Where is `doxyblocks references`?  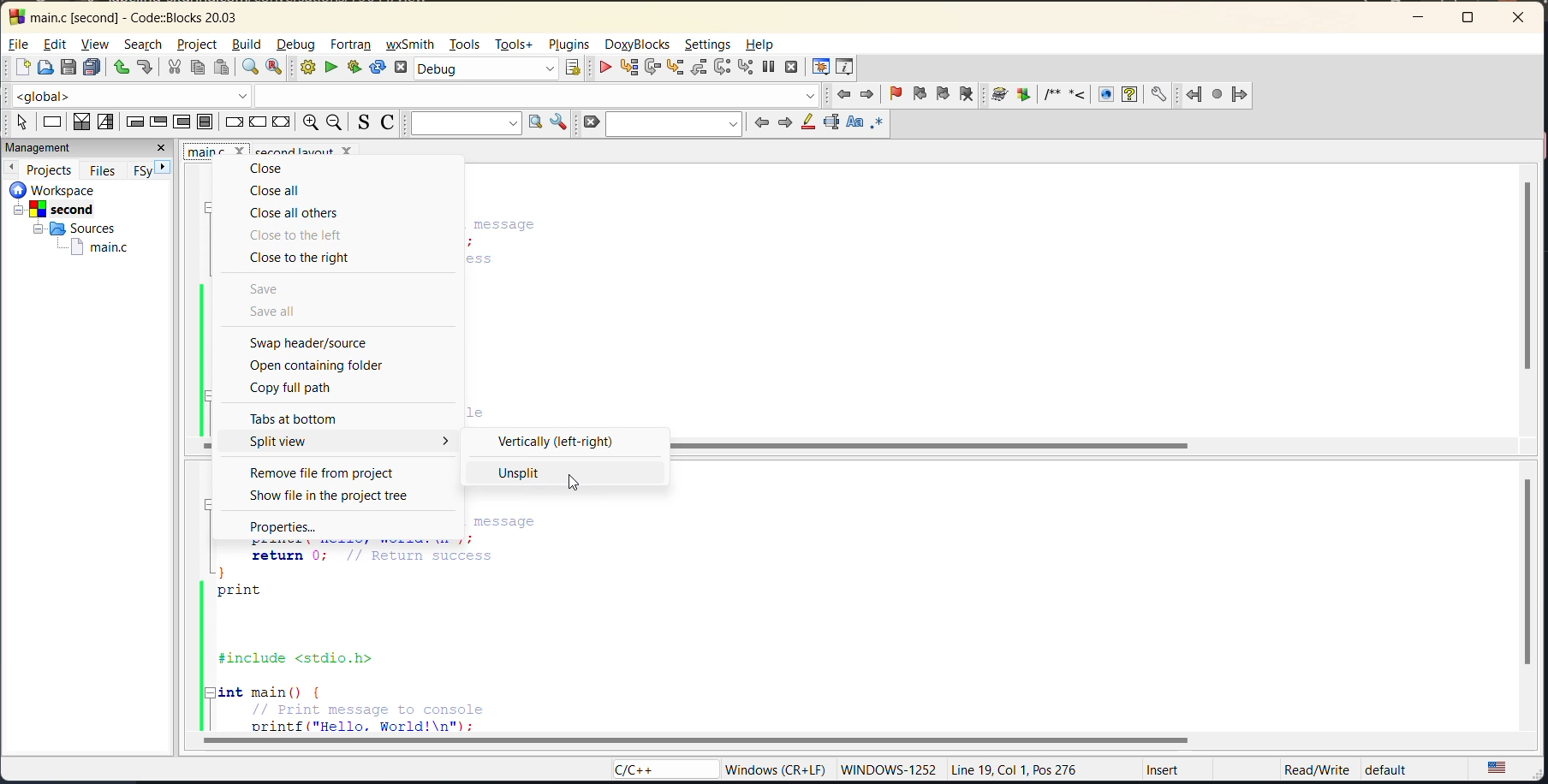
doxyblocks references is located at coordinates (1078, 95).